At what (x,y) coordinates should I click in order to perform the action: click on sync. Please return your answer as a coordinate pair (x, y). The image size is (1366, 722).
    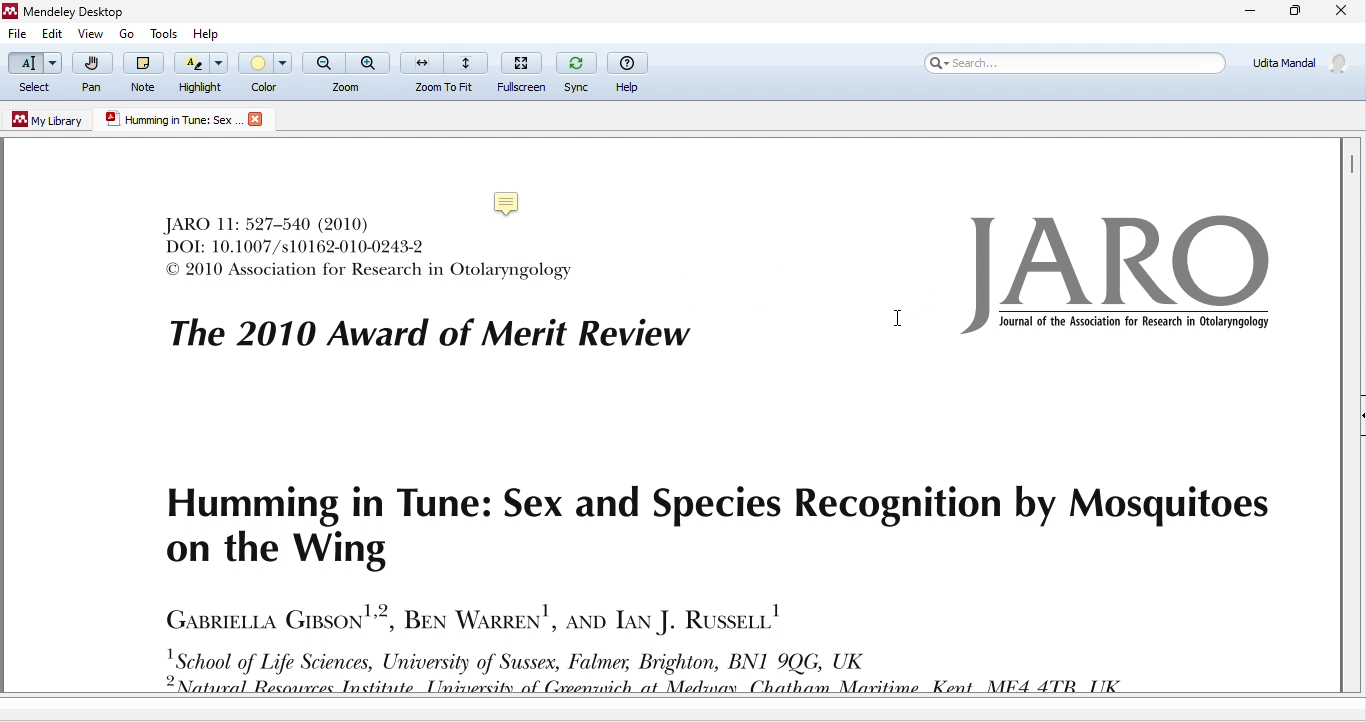
    Looking at the image, I should click on (578, 72).